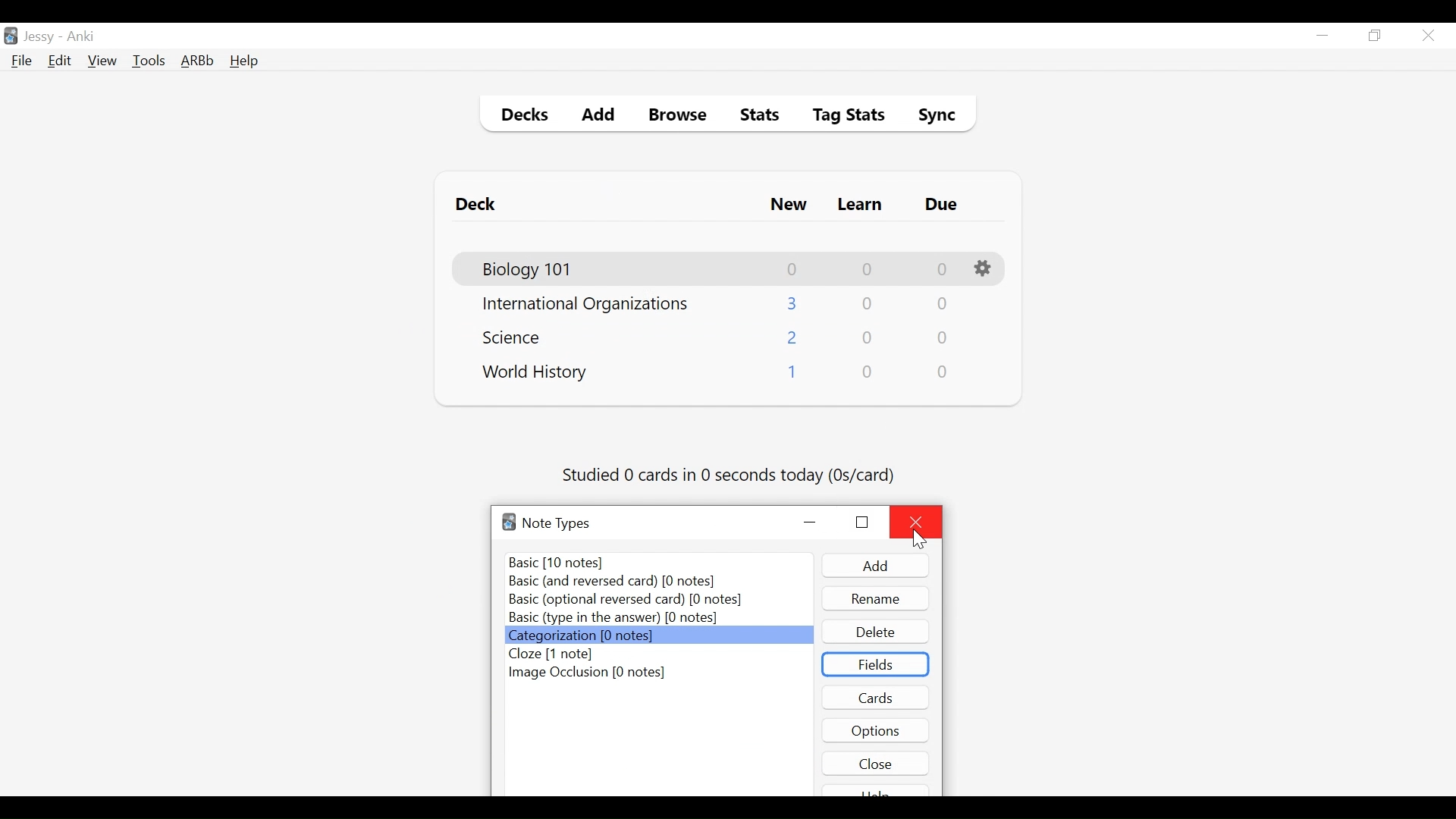 The height and width of the screenshot is (819, 1456). What do you see at coordinates (680, 117) in the screenshot?
I see `Browse` at bounding box center [680, 117].